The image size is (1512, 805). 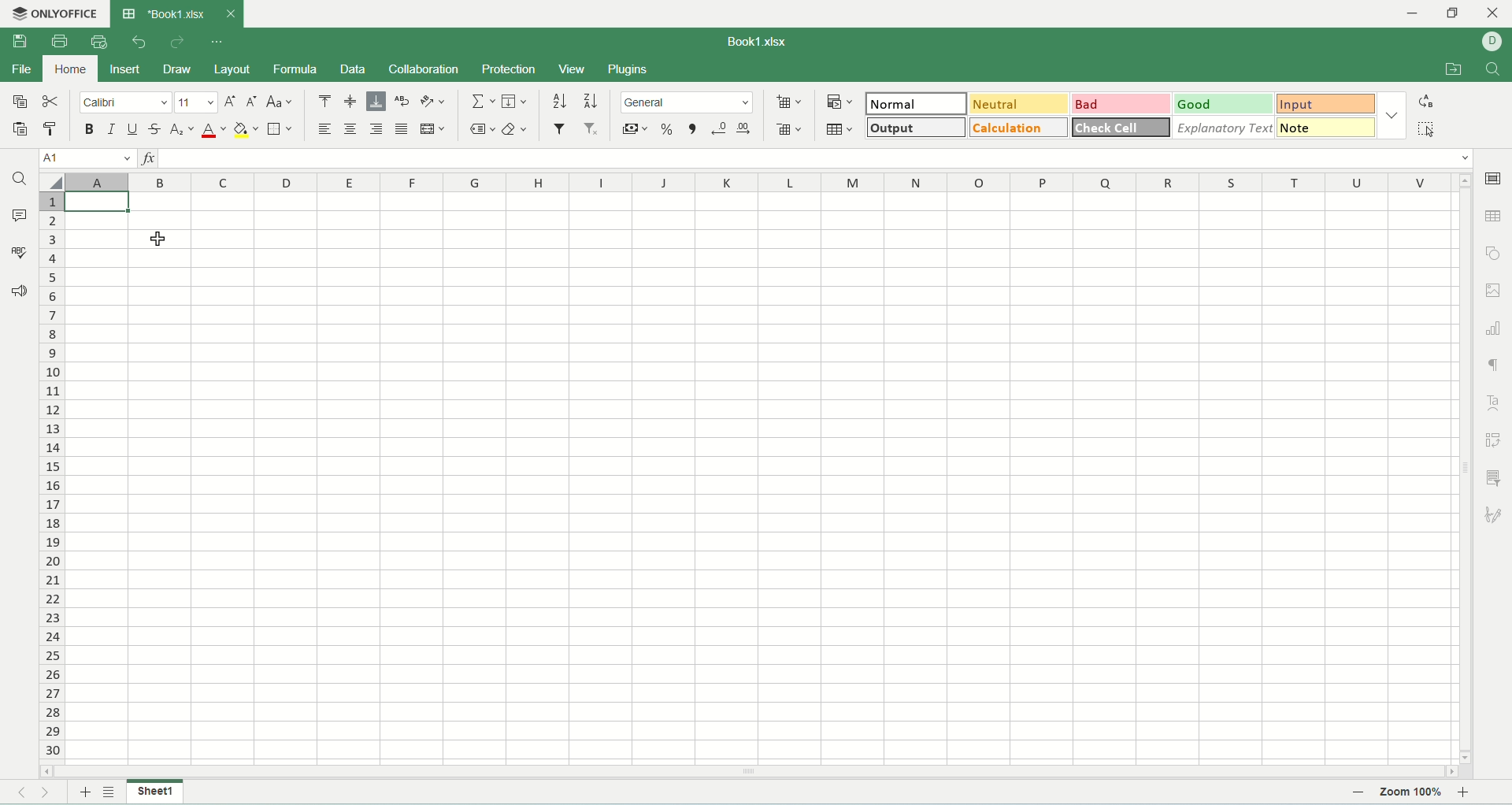 What do you see at coordinates (1497, 477) in the screenshot?
I see `slicer` at bounding box center [1497, 477].